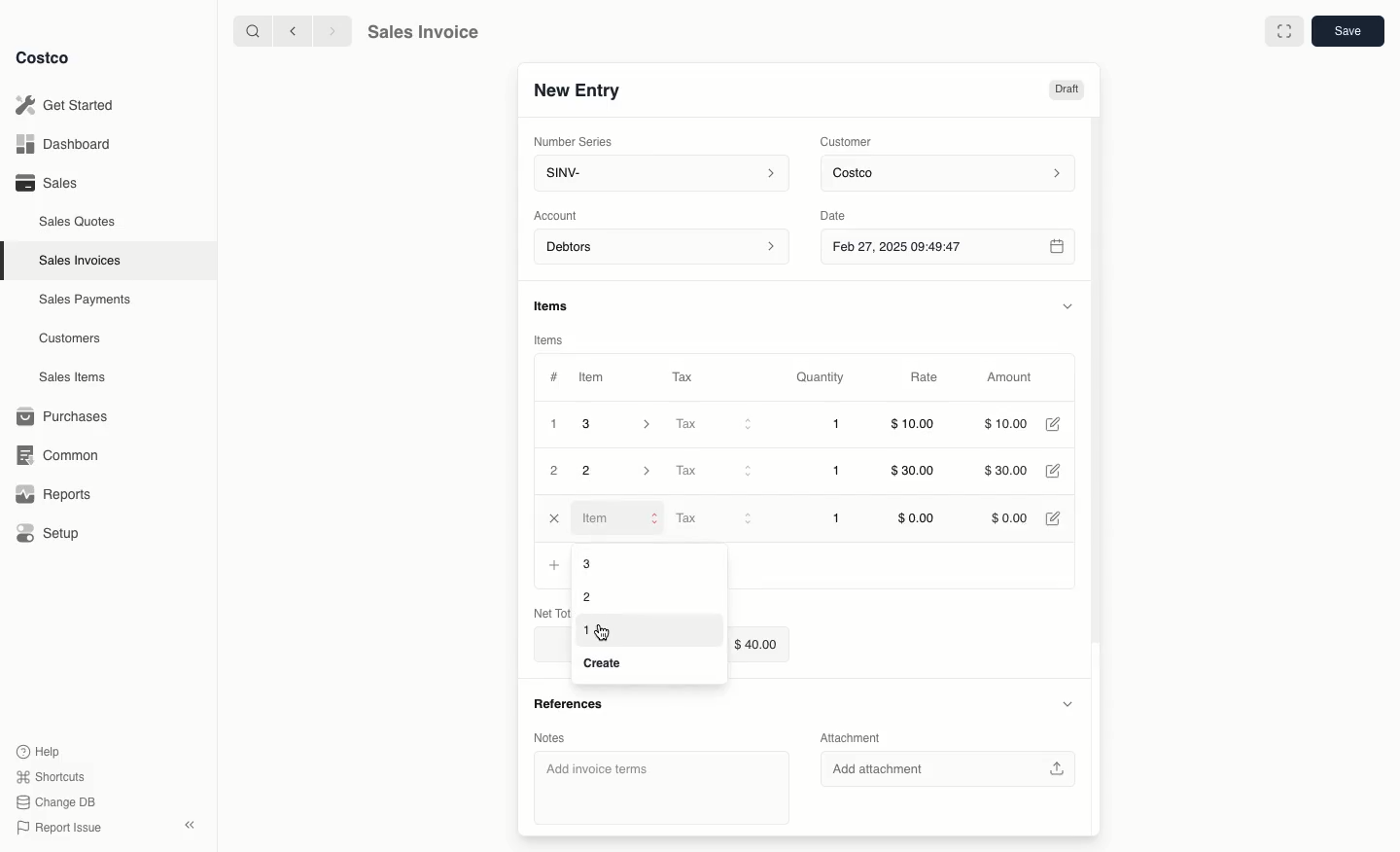  What do you see at coordinates (45, 182) in the screenshot?
I see `Sales` at bounding box center [45, 182].